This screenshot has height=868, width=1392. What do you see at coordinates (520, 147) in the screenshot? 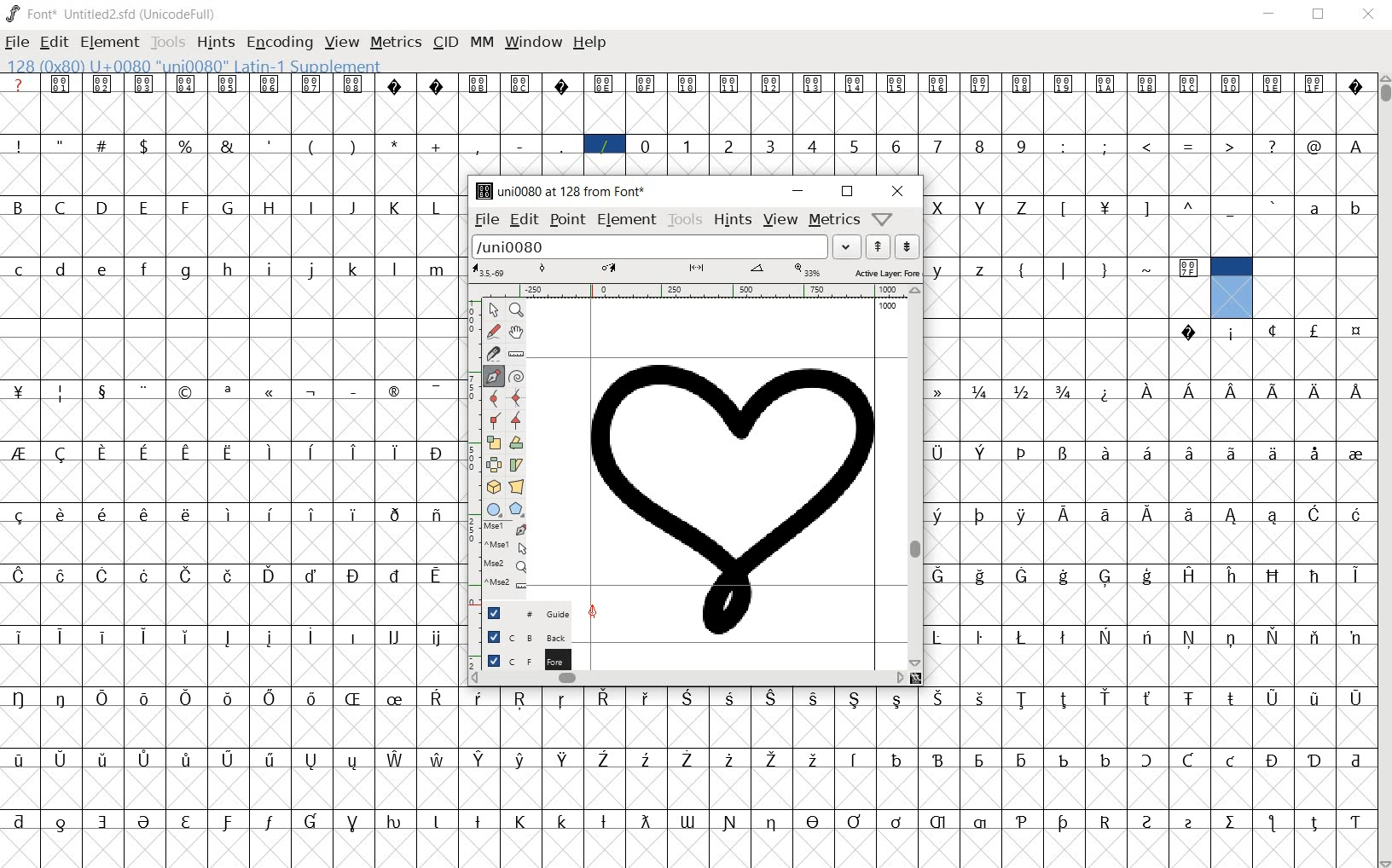
I see `glyph` at bounding box center [520, 147].